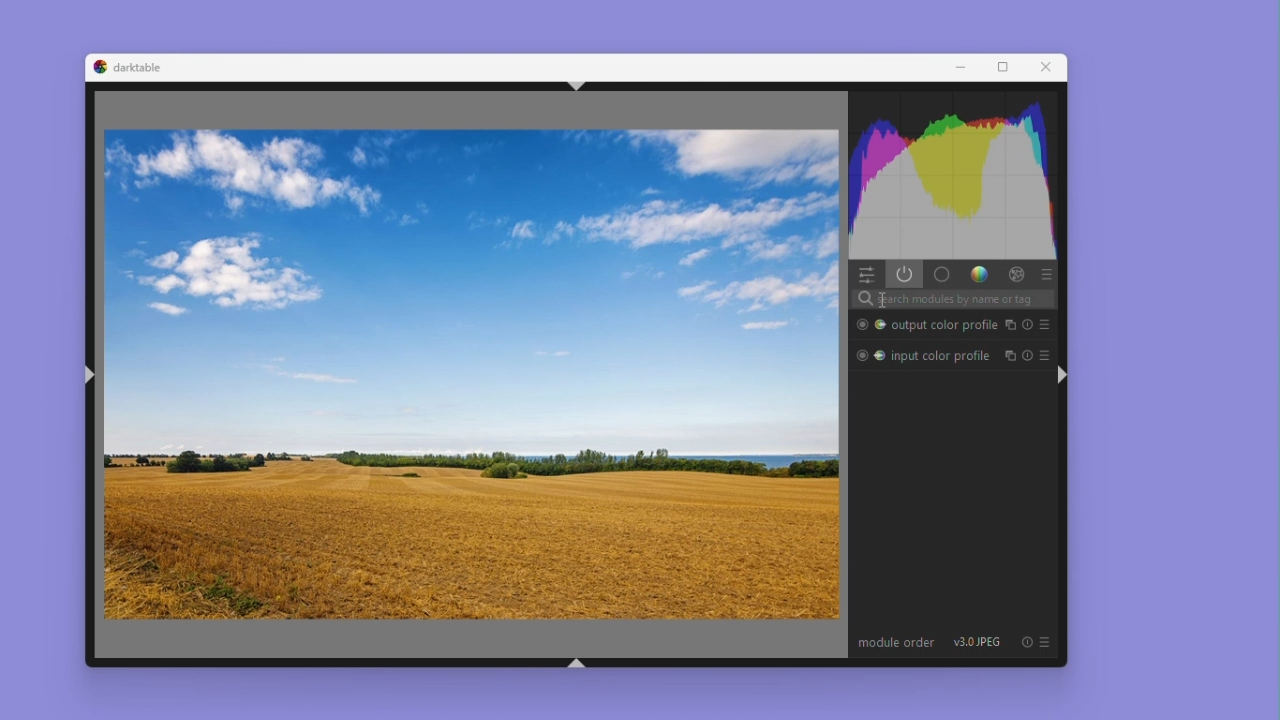  I want to click on Bullet, so click(861, 355).